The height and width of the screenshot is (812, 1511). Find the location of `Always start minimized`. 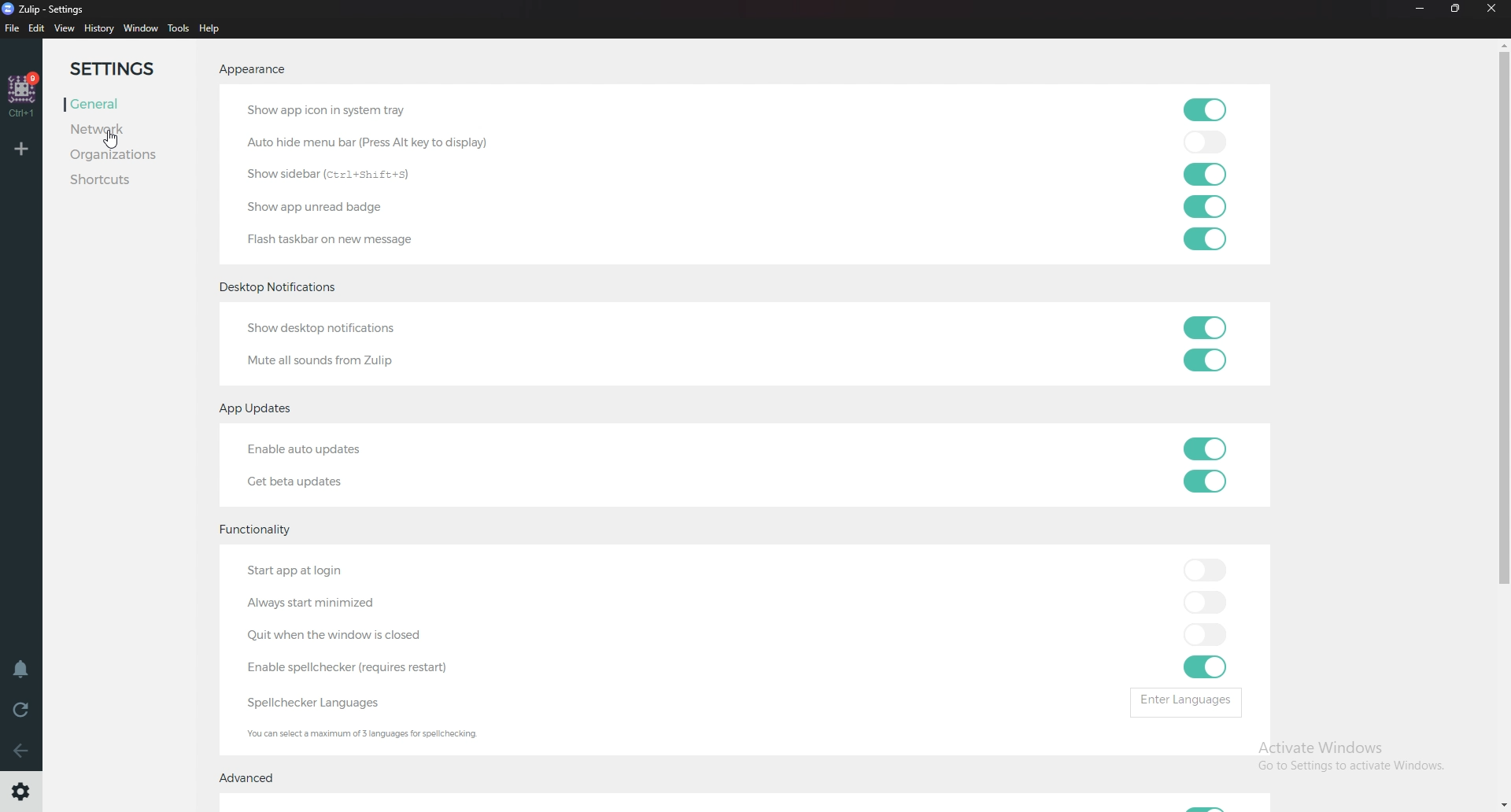

Always start minimized is located at coordinates (323, 600).